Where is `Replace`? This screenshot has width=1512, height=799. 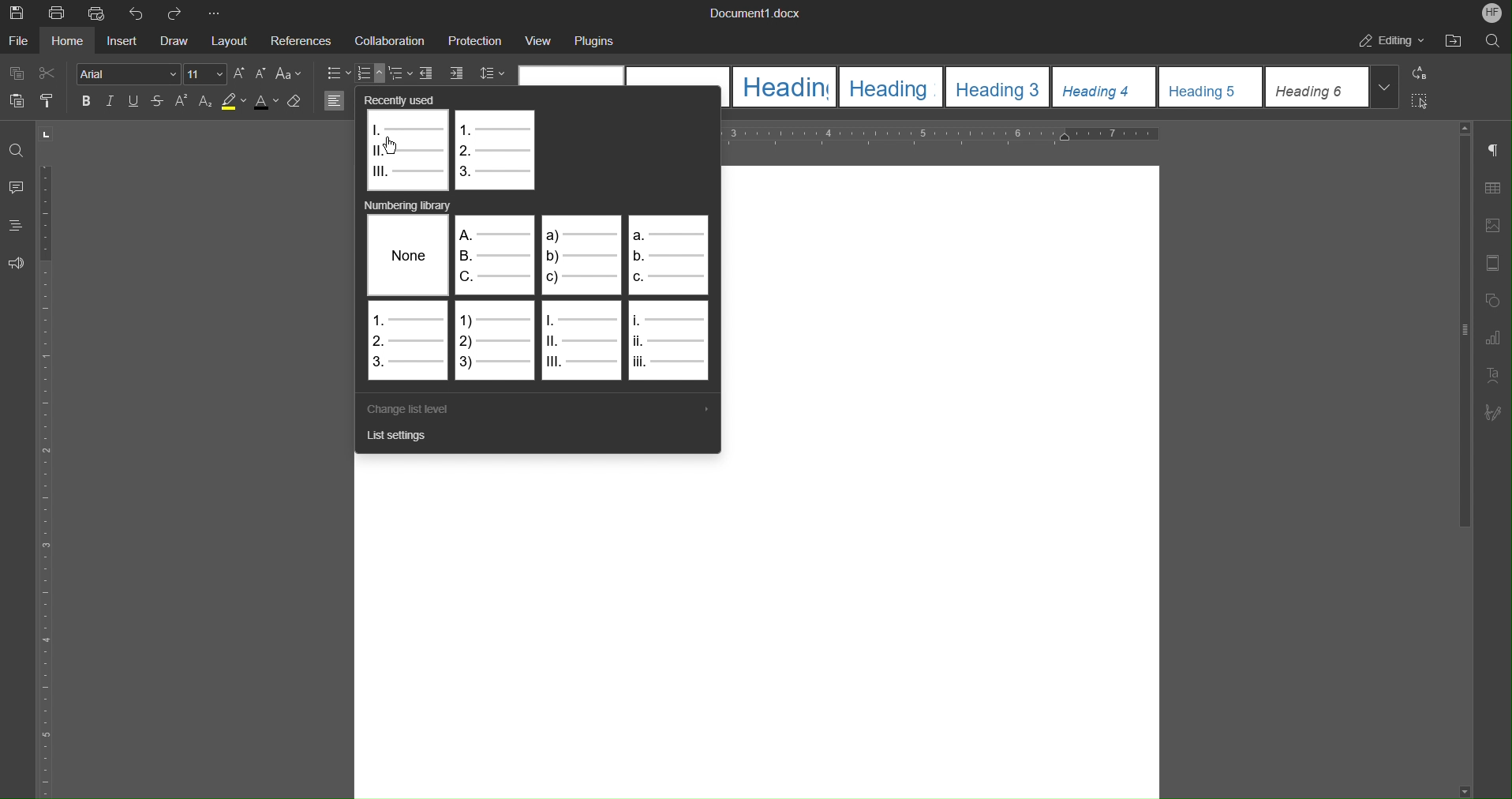
Replace is located at coordinates (1420, 73).